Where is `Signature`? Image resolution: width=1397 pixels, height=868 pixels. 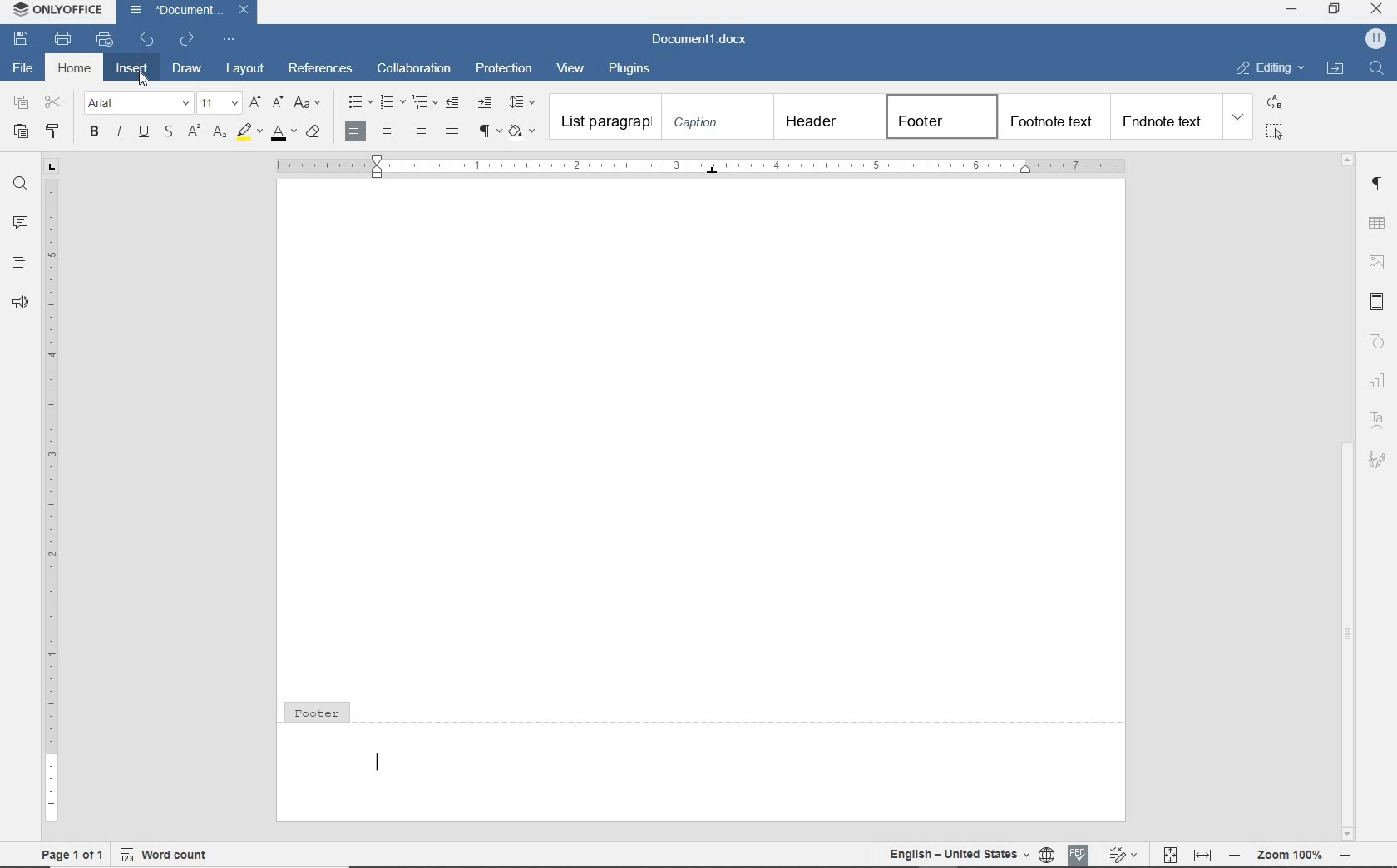 Signature is located at coordinates (1380, 465).